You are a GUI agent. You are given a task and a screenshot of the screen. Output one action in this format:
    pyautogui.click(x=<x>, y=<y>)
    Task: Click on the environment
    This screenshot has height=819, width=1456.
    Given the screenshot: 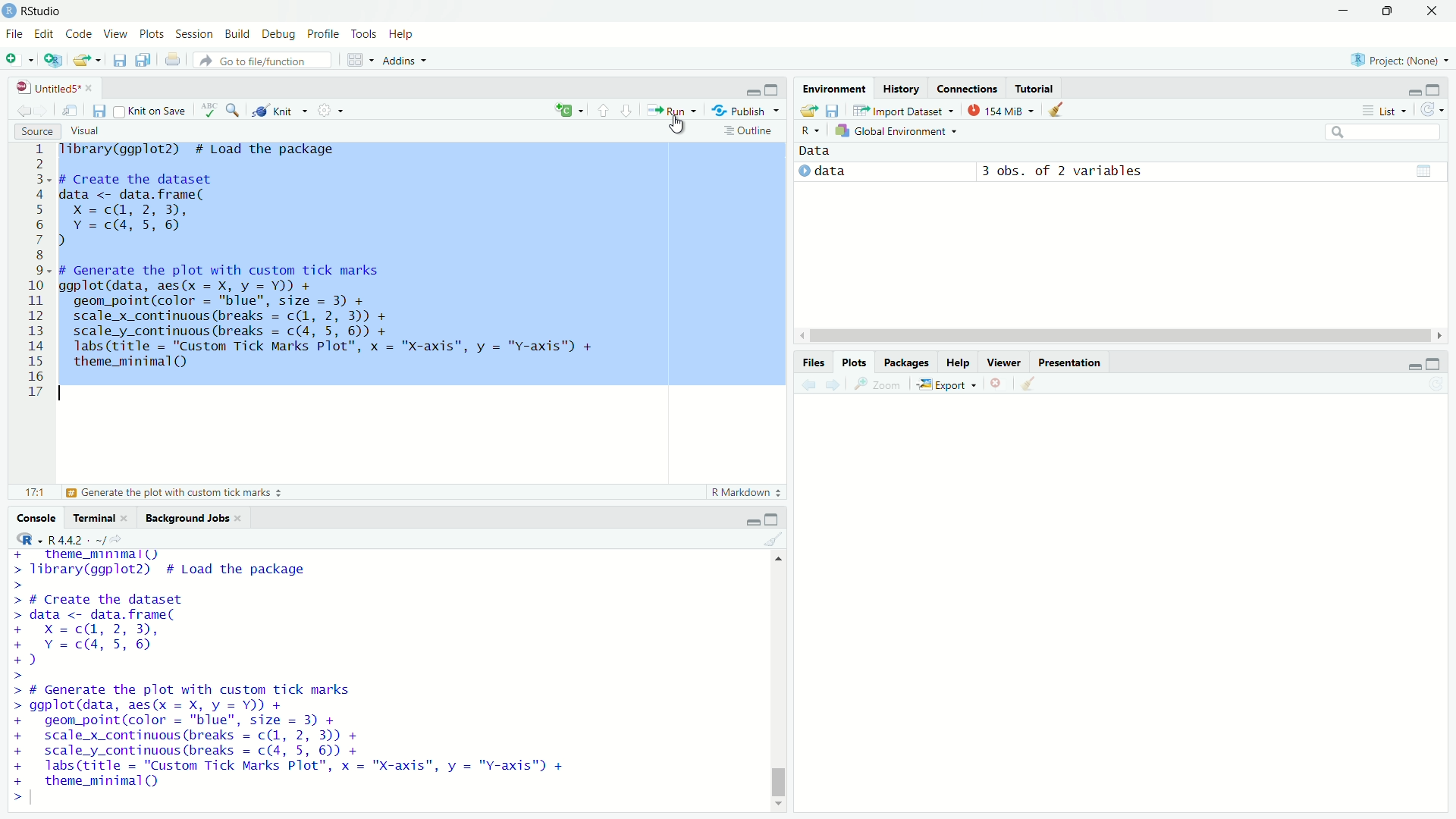 What is the action you would take?
    pyautogui.click(x=835, y=87)
    